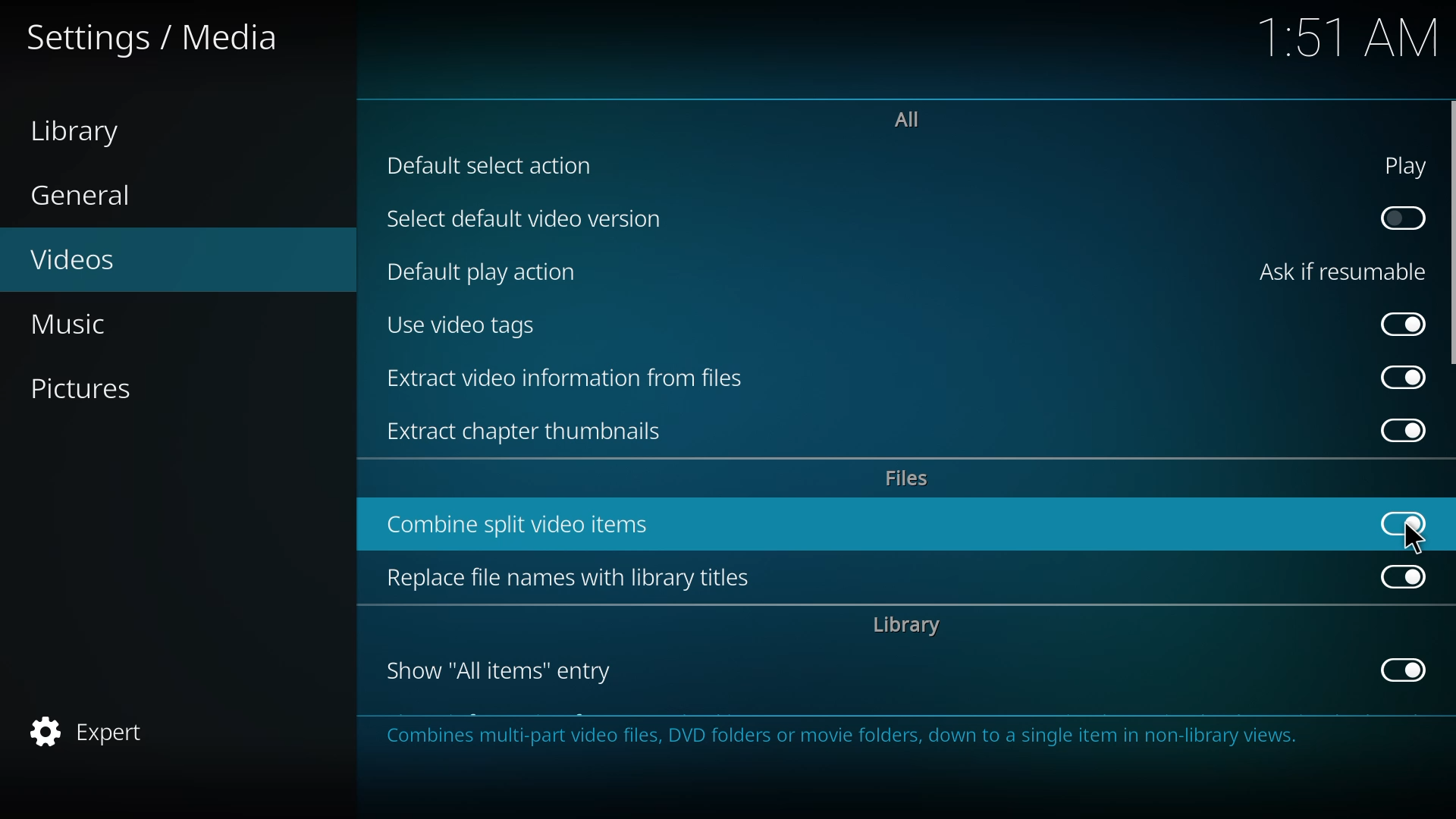 The width and height of the screenshot is (1456, 819). Describe the element at coordinates (569, 377) in the screenshot. I see `extract video information from files` at that location.